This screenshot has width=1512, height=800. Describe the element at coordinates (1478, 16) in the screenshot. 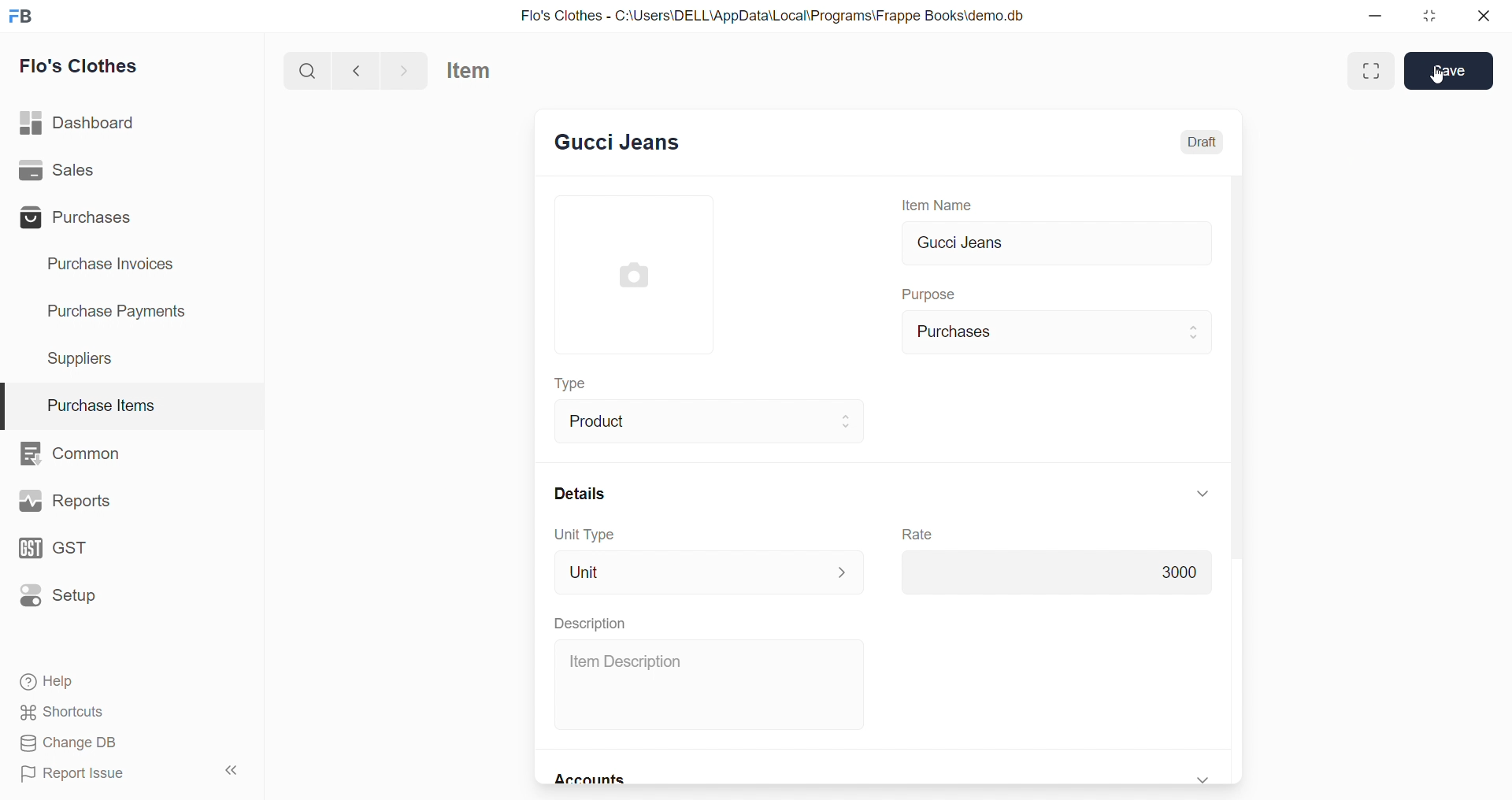

I see `close` at that location.